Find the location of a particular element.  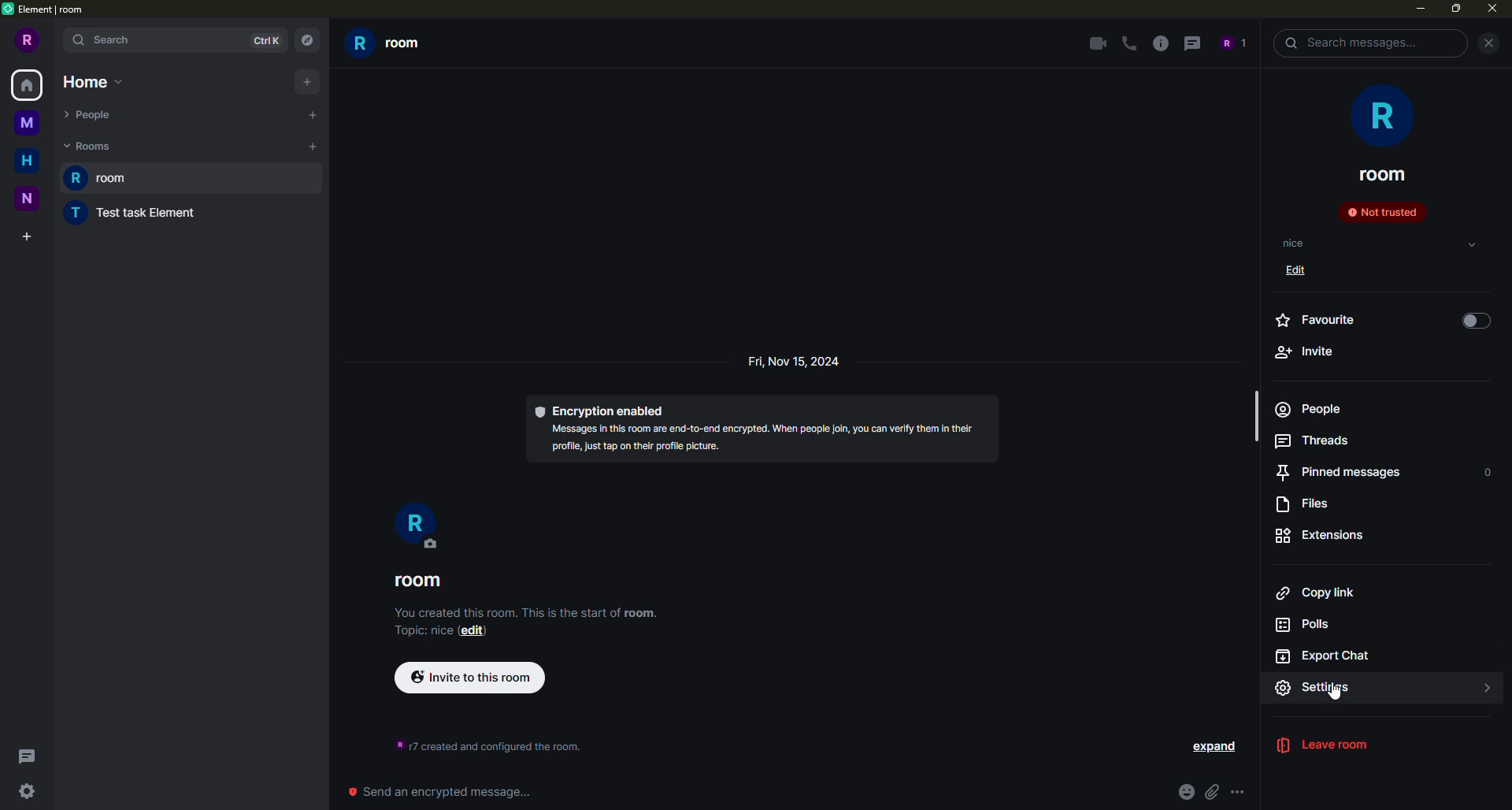

polls is located at coordinates (1313, 626).